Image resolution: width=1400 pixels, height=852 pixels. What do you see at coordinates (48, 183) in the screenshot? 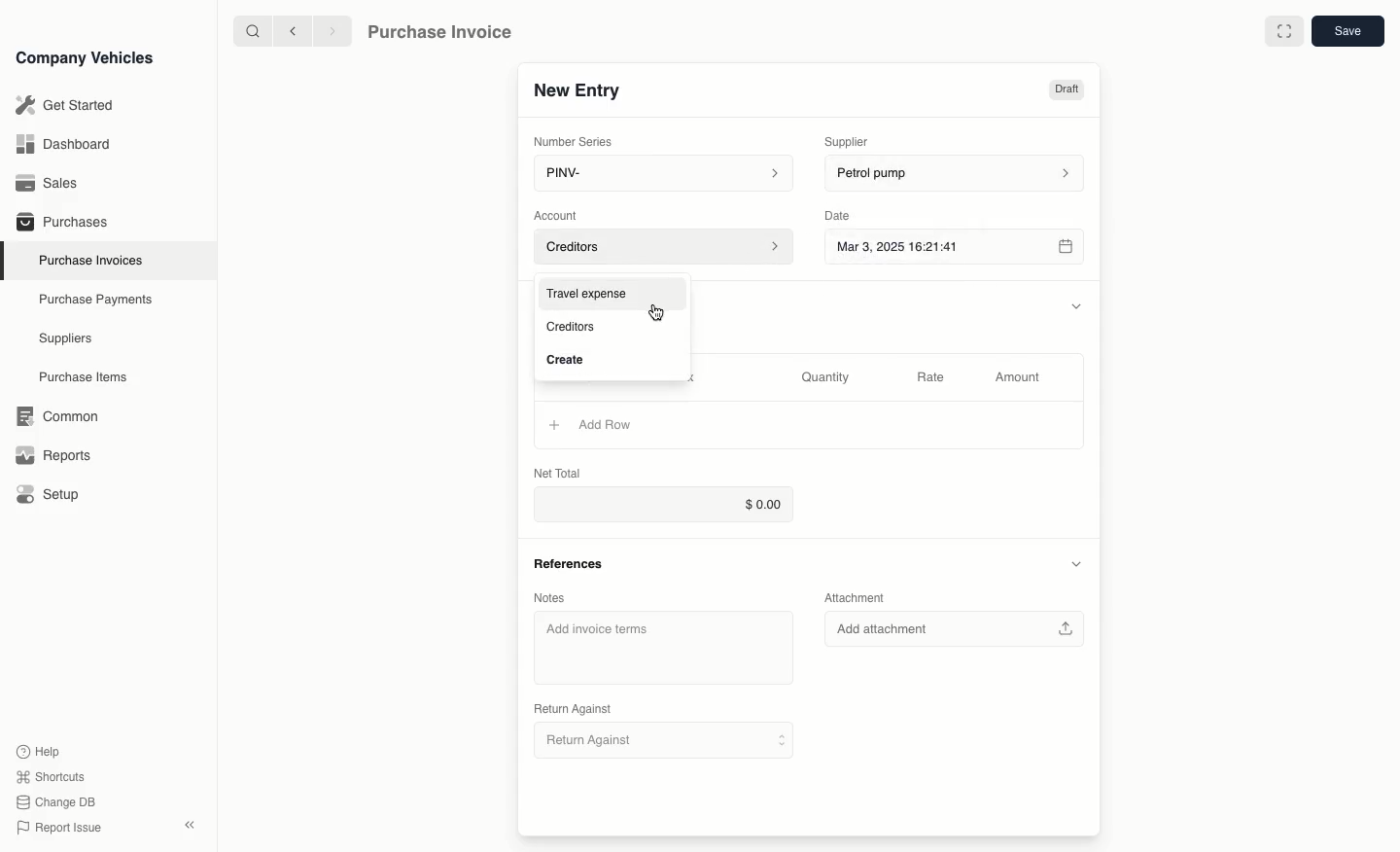
I see `Sales` at bounding box center [48, 183].